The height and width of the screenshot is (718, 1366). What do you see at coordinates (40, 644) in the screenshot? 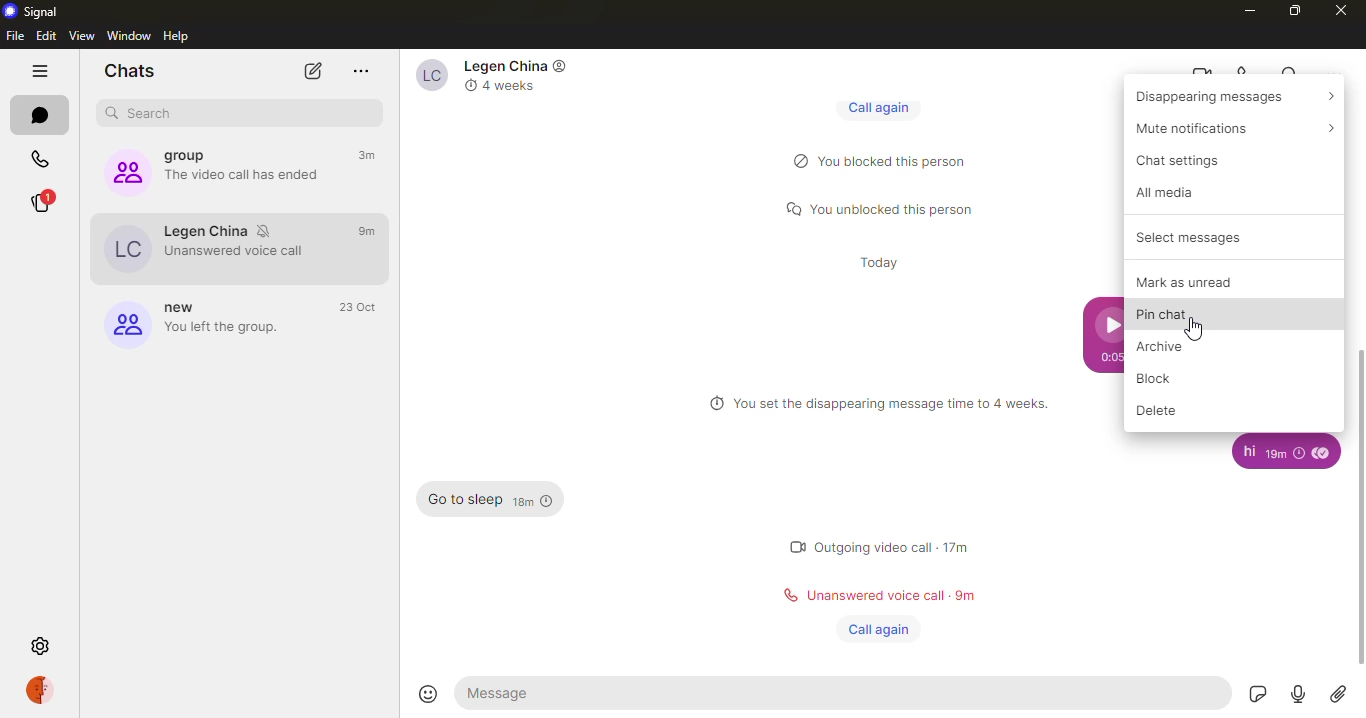
I see `settings` at bounding box center [40, 644].